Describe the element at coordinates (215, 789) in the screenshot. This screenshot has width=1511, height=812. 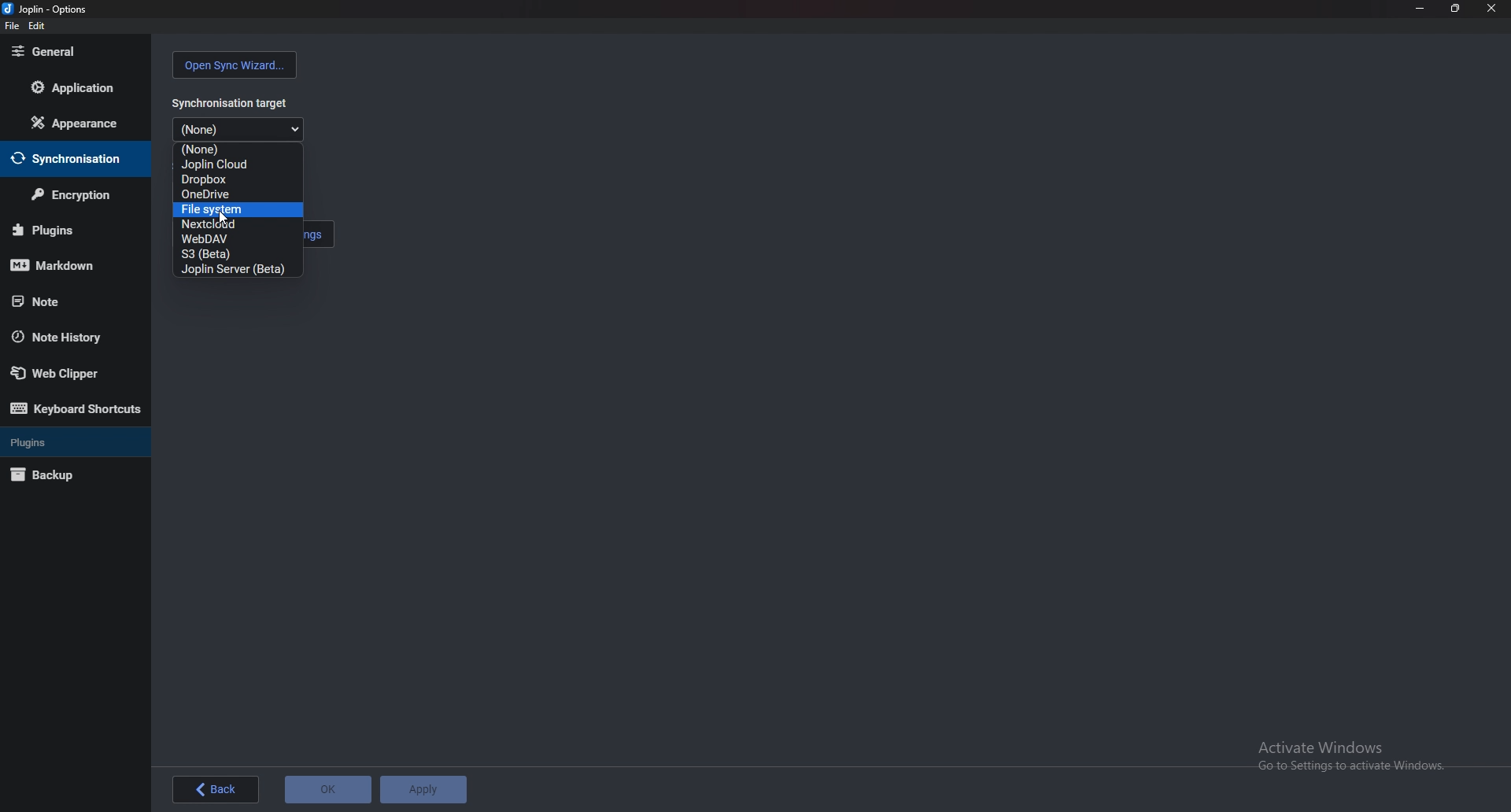
I see `back` at that location.